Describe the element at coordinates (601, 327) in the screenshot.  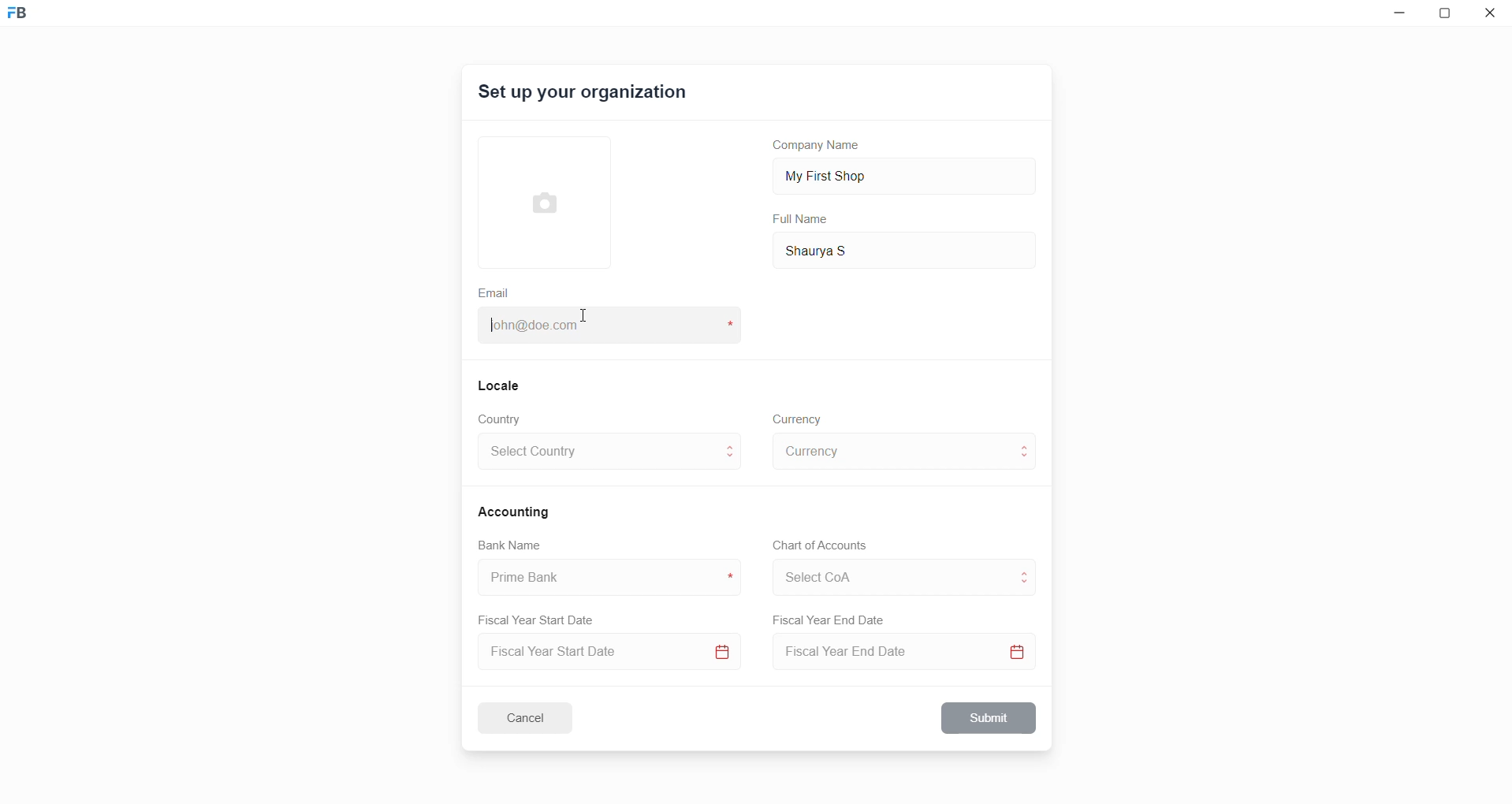
I see `email id input box` at that location.